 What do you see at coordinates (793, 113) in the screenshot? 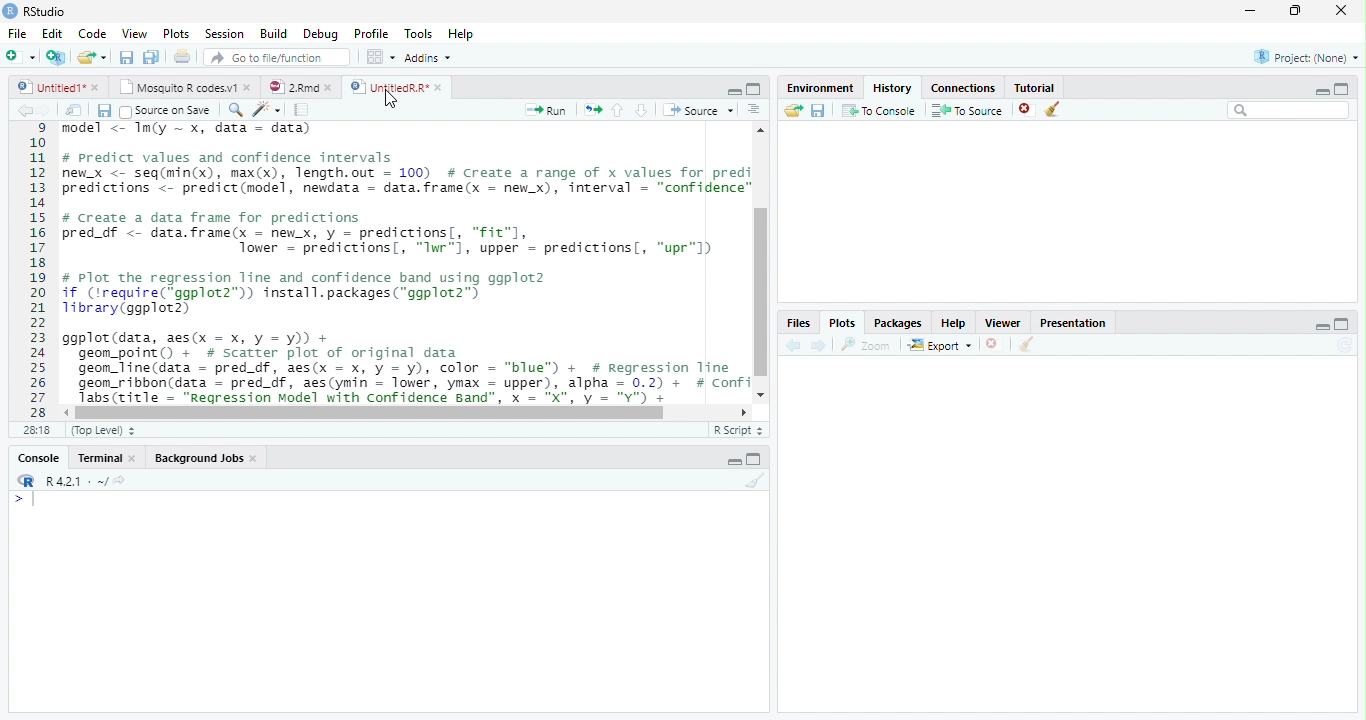
I see `Load workspace` at bounding box center [793, 113].